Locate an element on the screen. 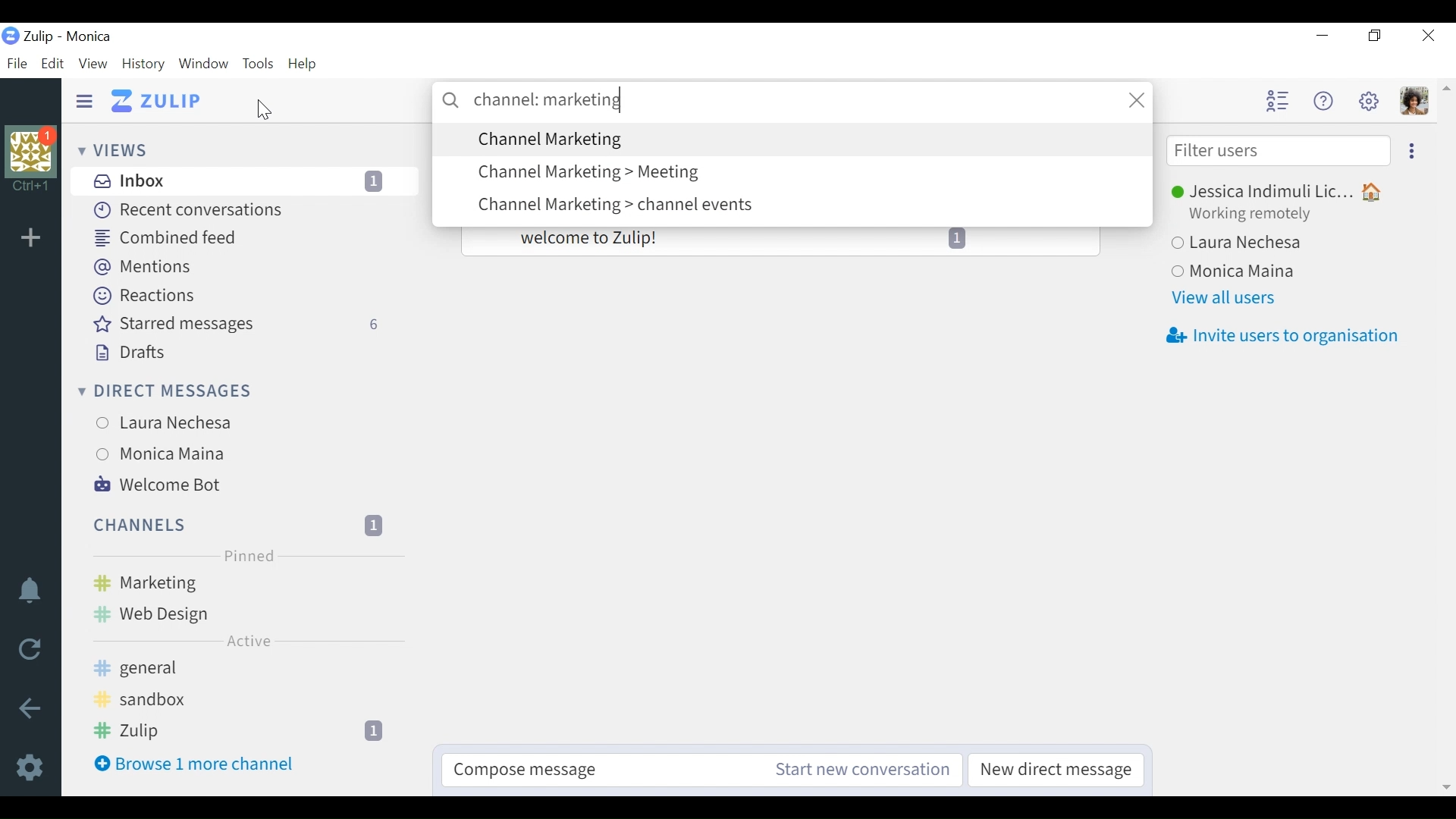  more is located at coordinates (1416, 152).